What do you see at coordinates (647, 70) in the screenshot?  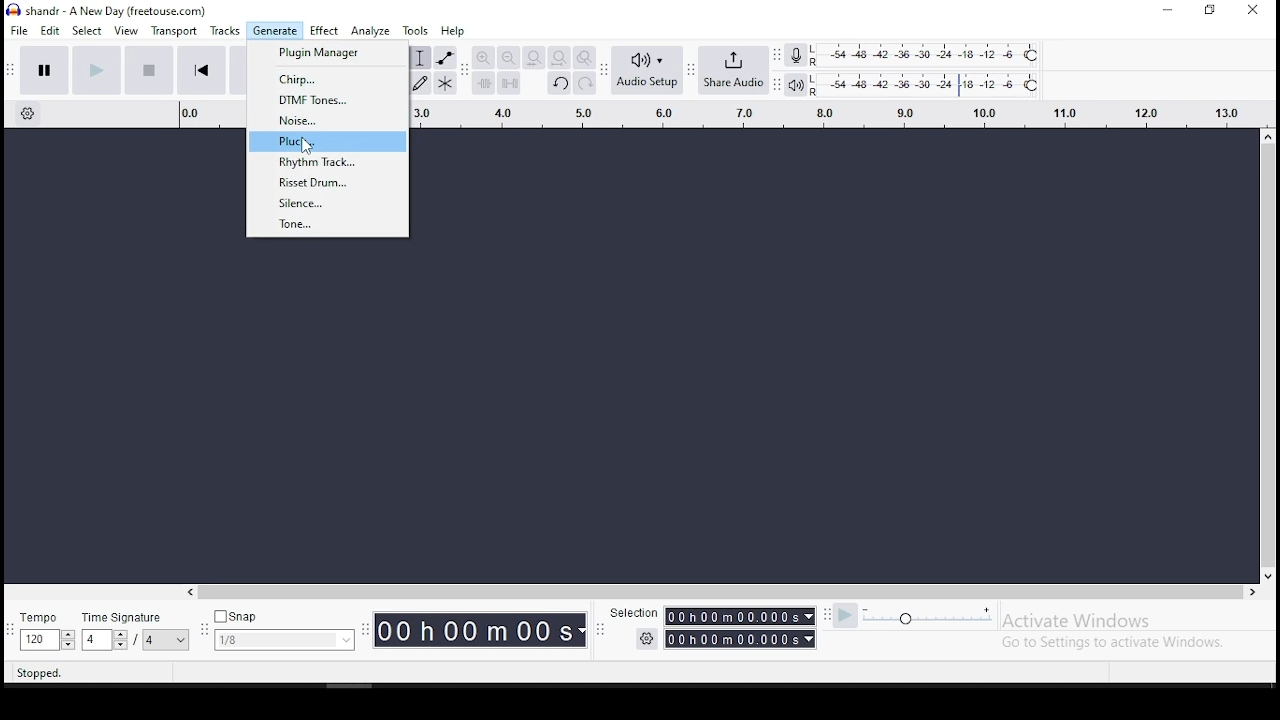 I see `audio setup` at bounding box center [647, 70].